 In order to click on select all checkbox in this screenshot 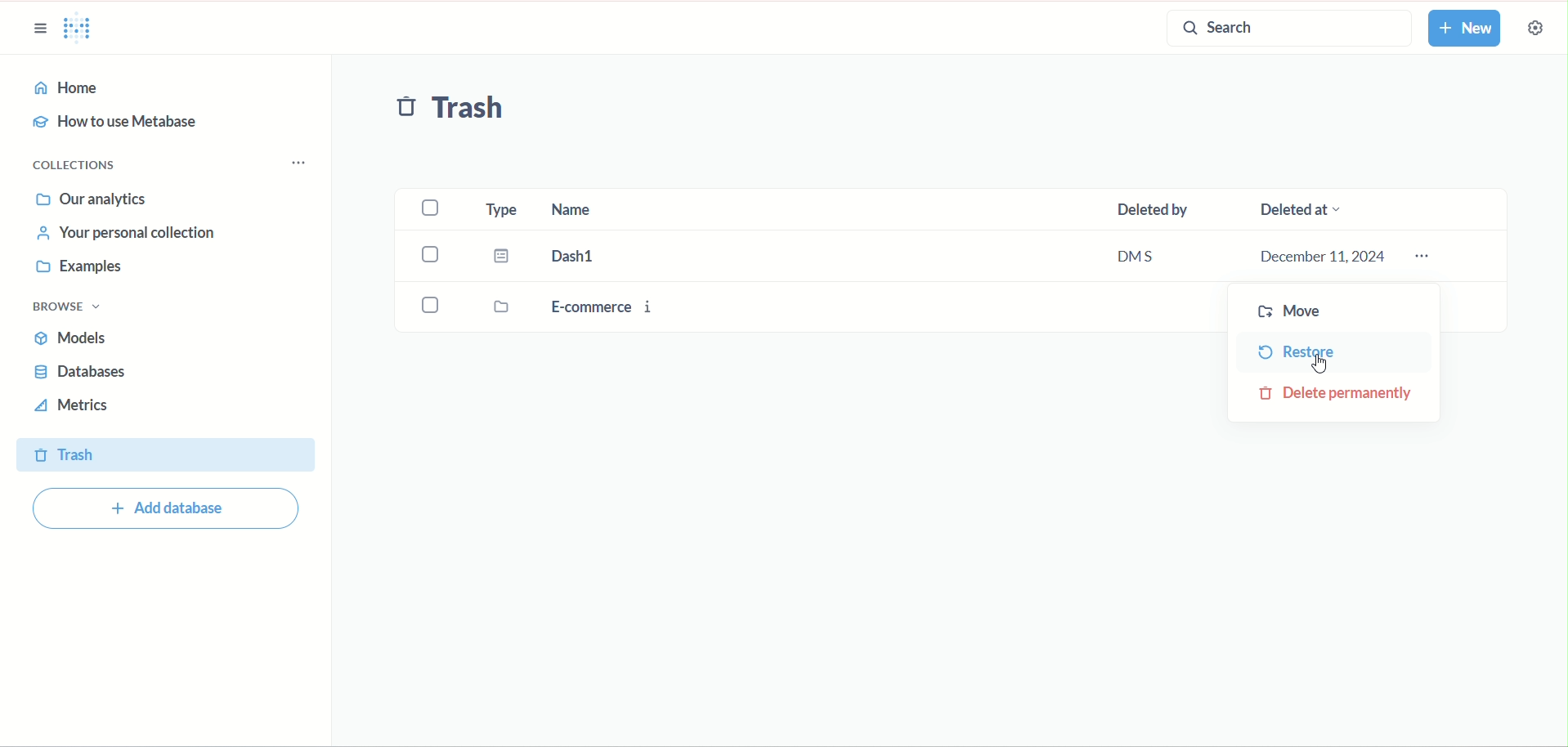, I will do `click(434, 207)`.